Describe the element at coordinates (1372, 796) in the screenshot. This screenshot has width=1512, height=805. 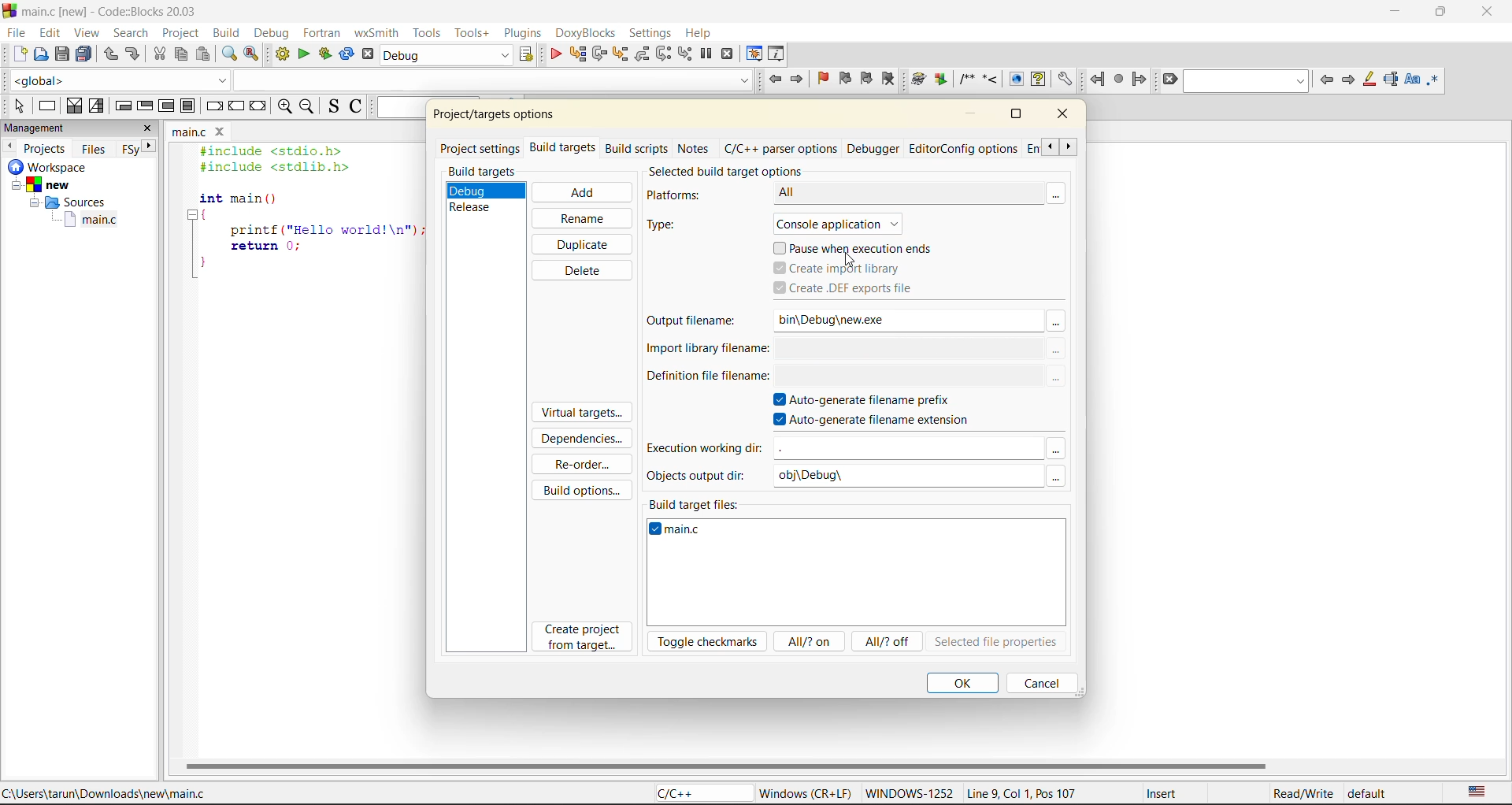
I see `default` at that location.